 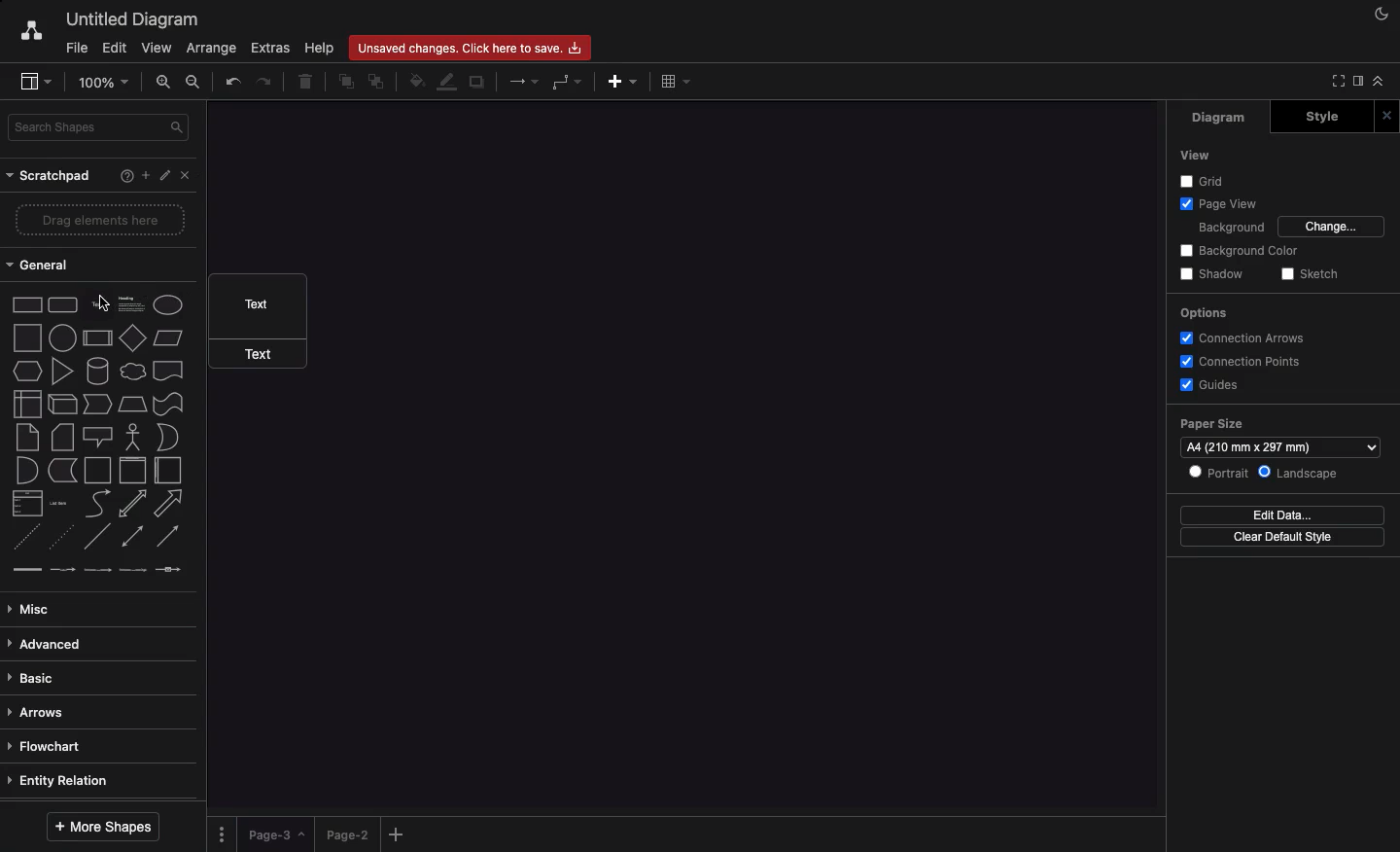 I want to click on Arrows, so click(x=521, y=83).